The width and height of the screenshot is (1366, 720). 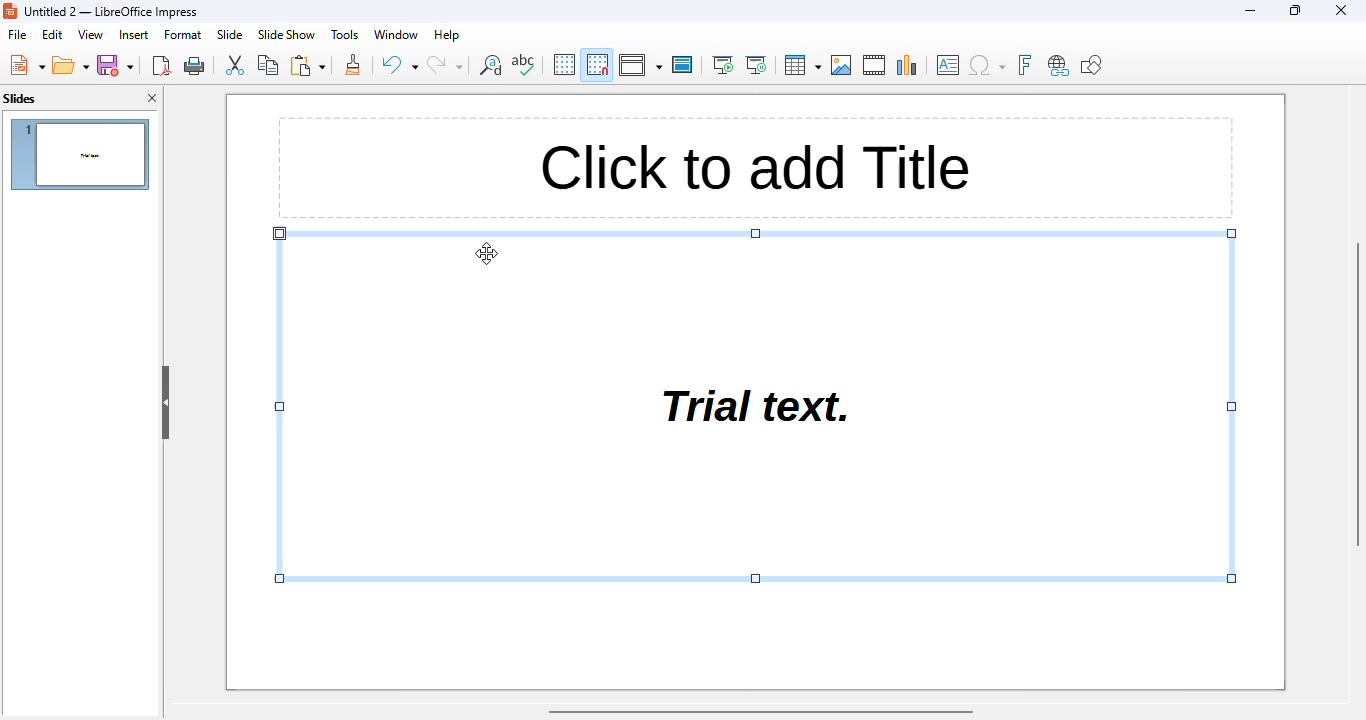 I want to click on insert hyperlink, so click(x=1059, y=65).